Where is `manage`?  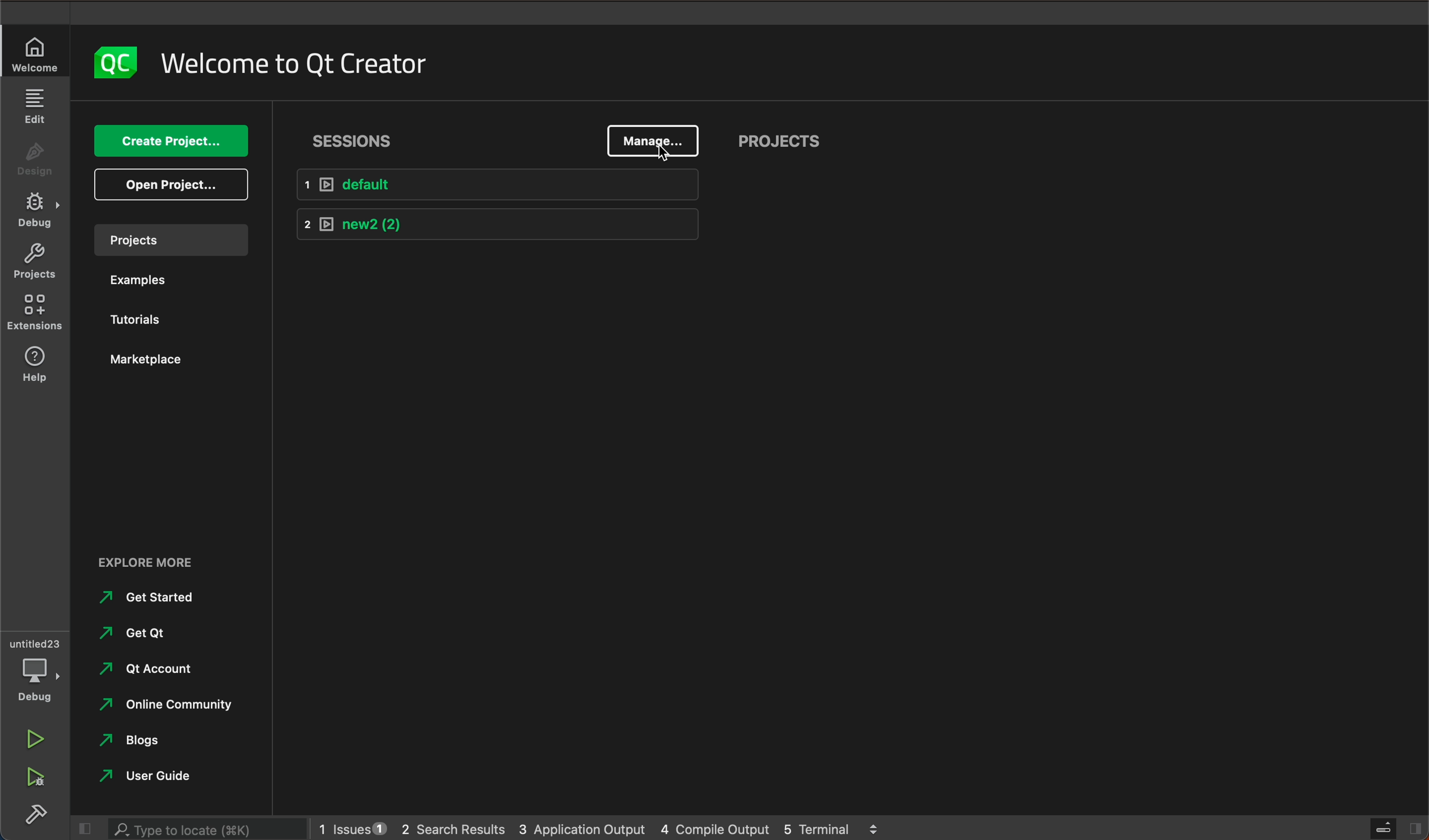
manage is located at coordinates (653, 141).